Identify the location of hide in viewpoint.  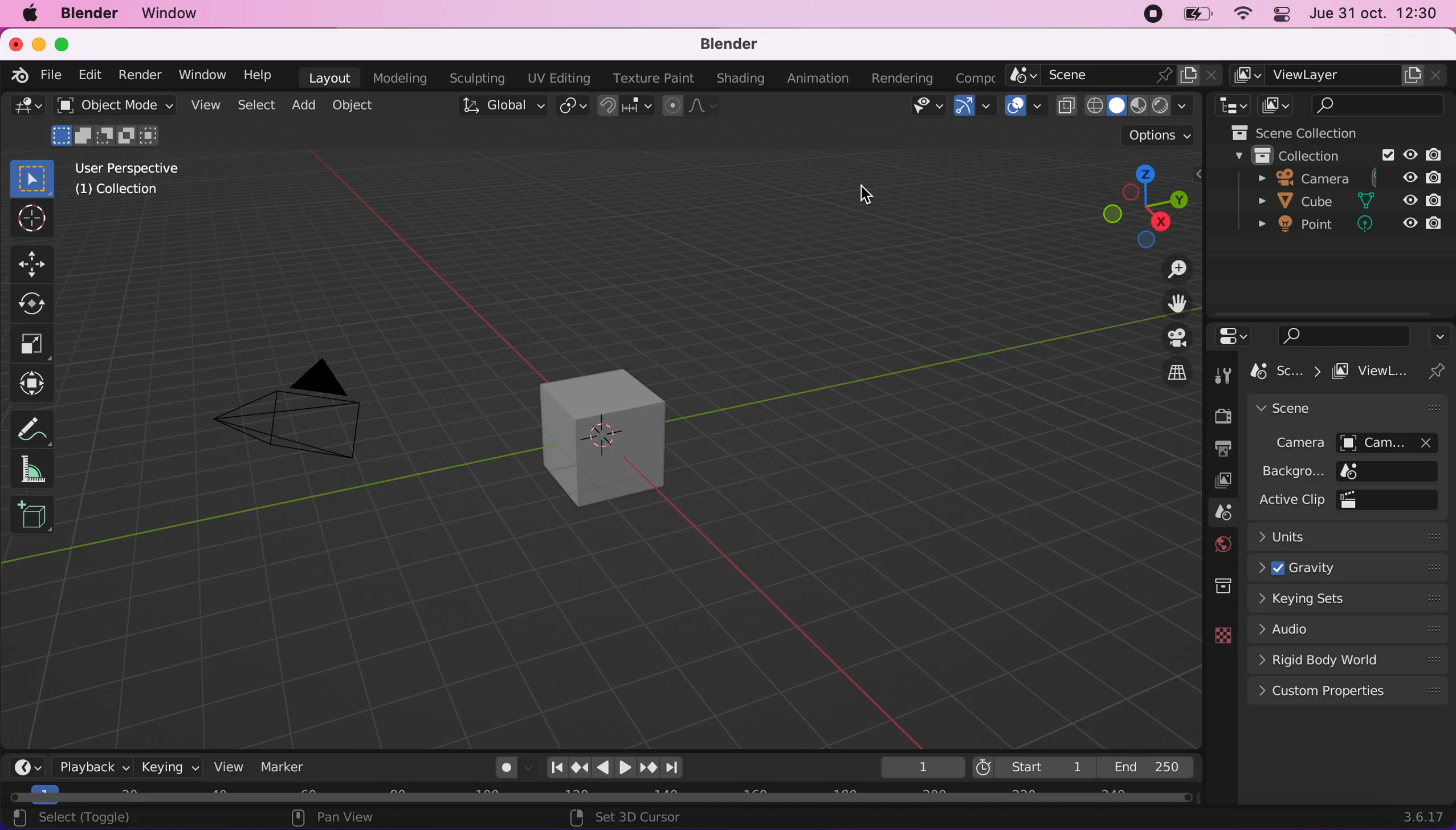
(1411, 152).